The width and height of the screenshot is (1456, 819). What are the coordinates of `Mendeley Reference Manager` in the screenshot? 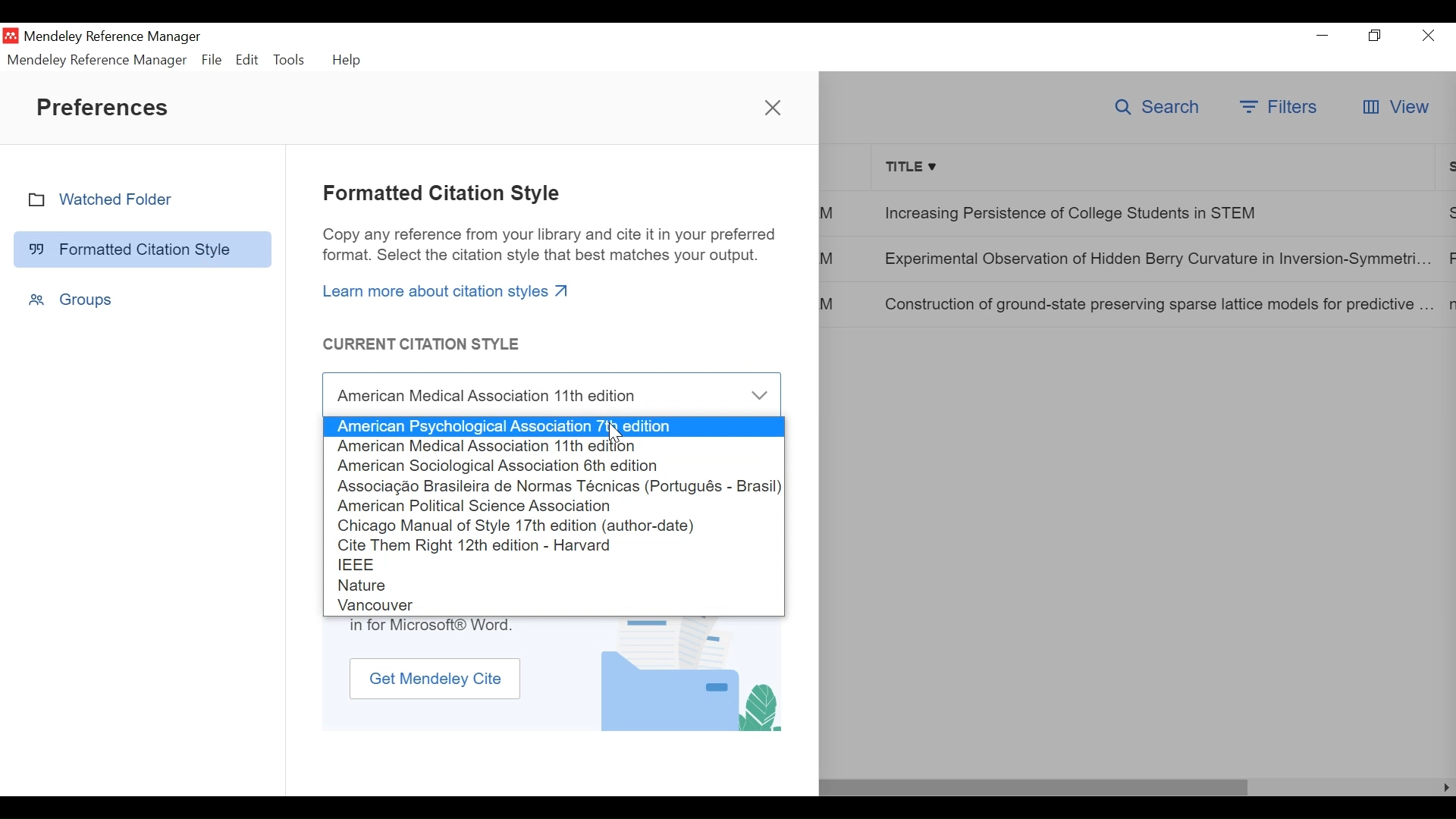 It's located at (116, 37).